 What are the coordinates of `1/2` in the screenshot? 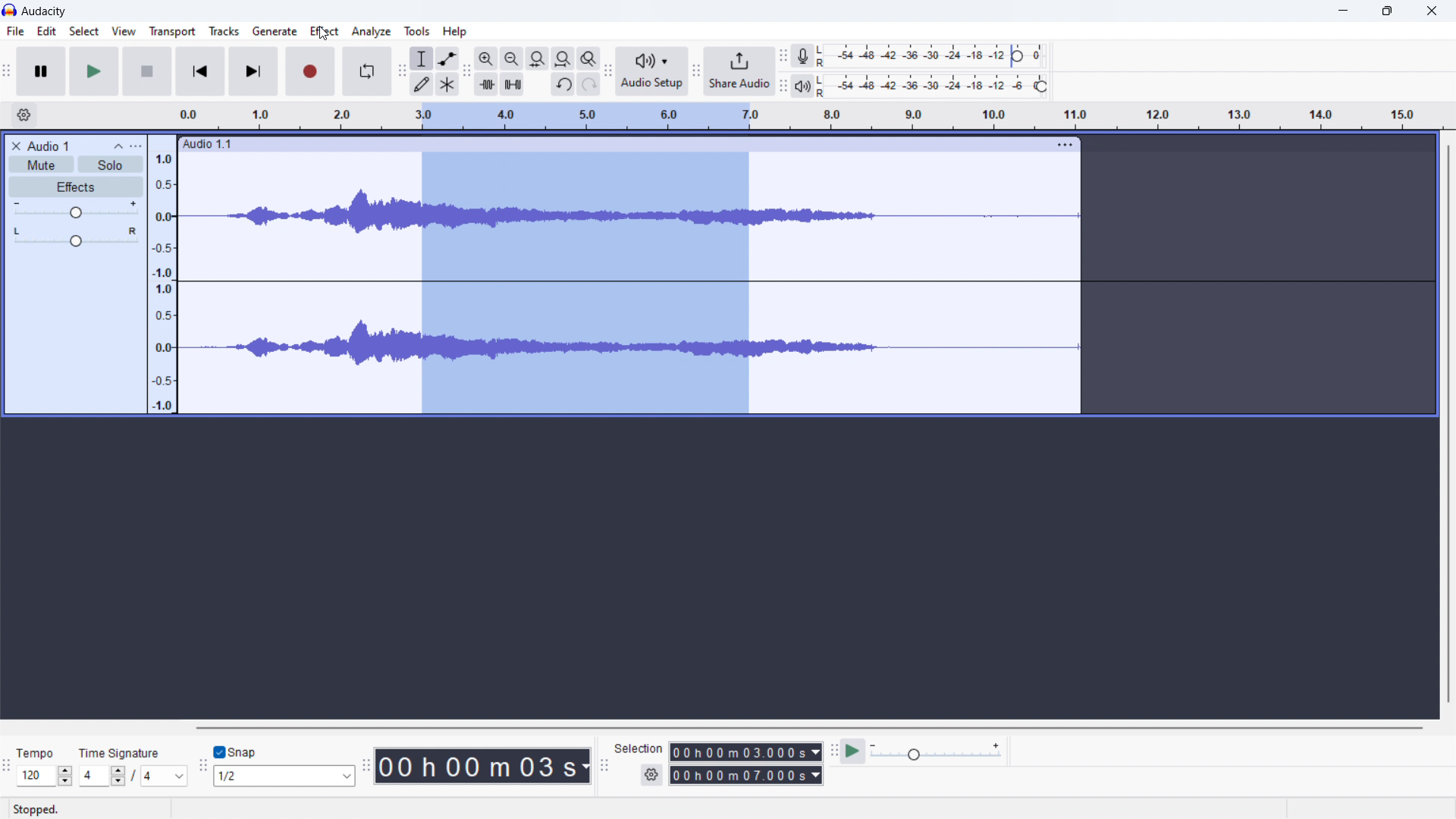 It's located at (286, 777).